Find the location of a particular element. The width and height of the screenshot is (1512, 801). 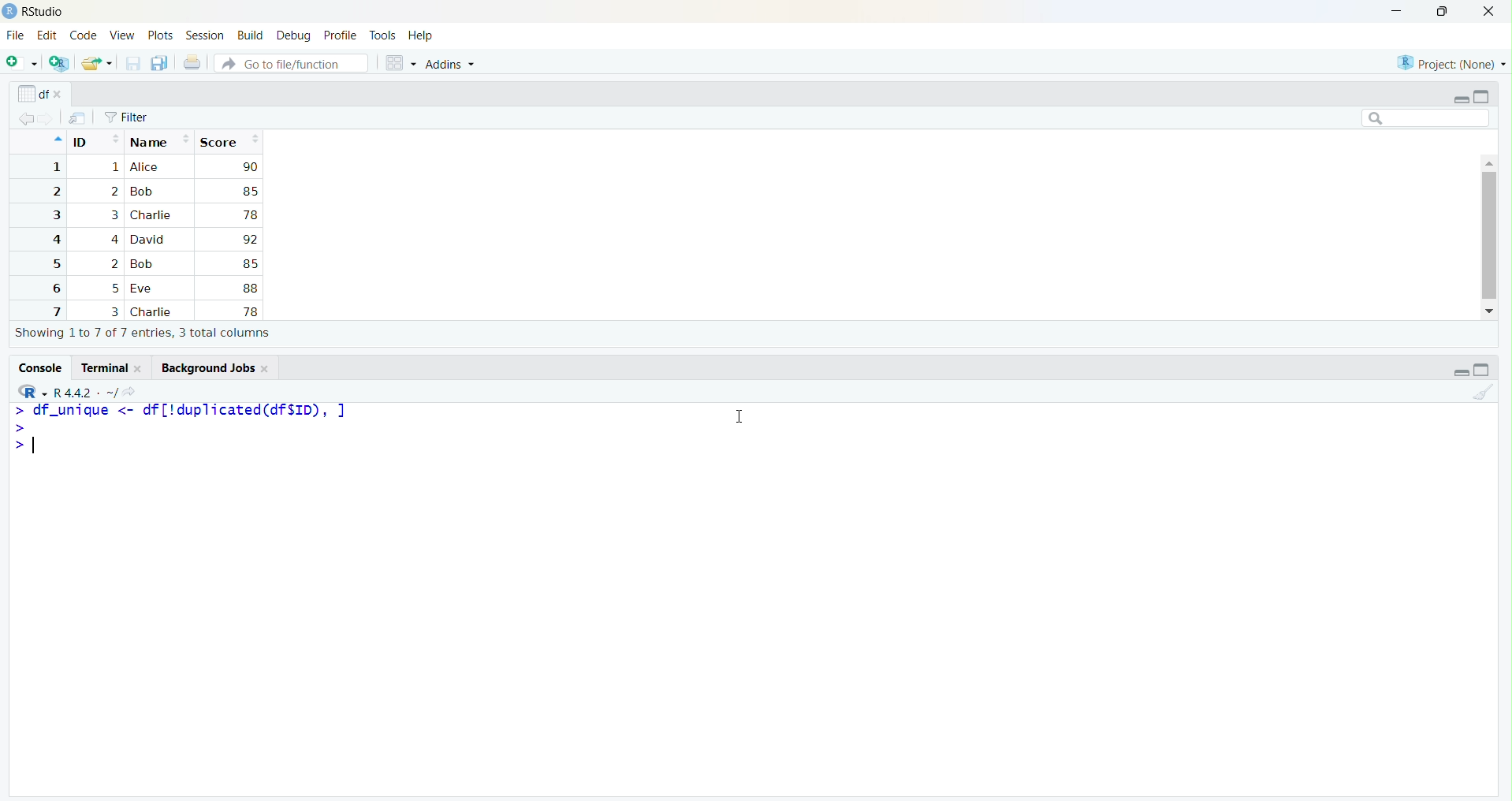

4 is located at coordinates (113, 239).